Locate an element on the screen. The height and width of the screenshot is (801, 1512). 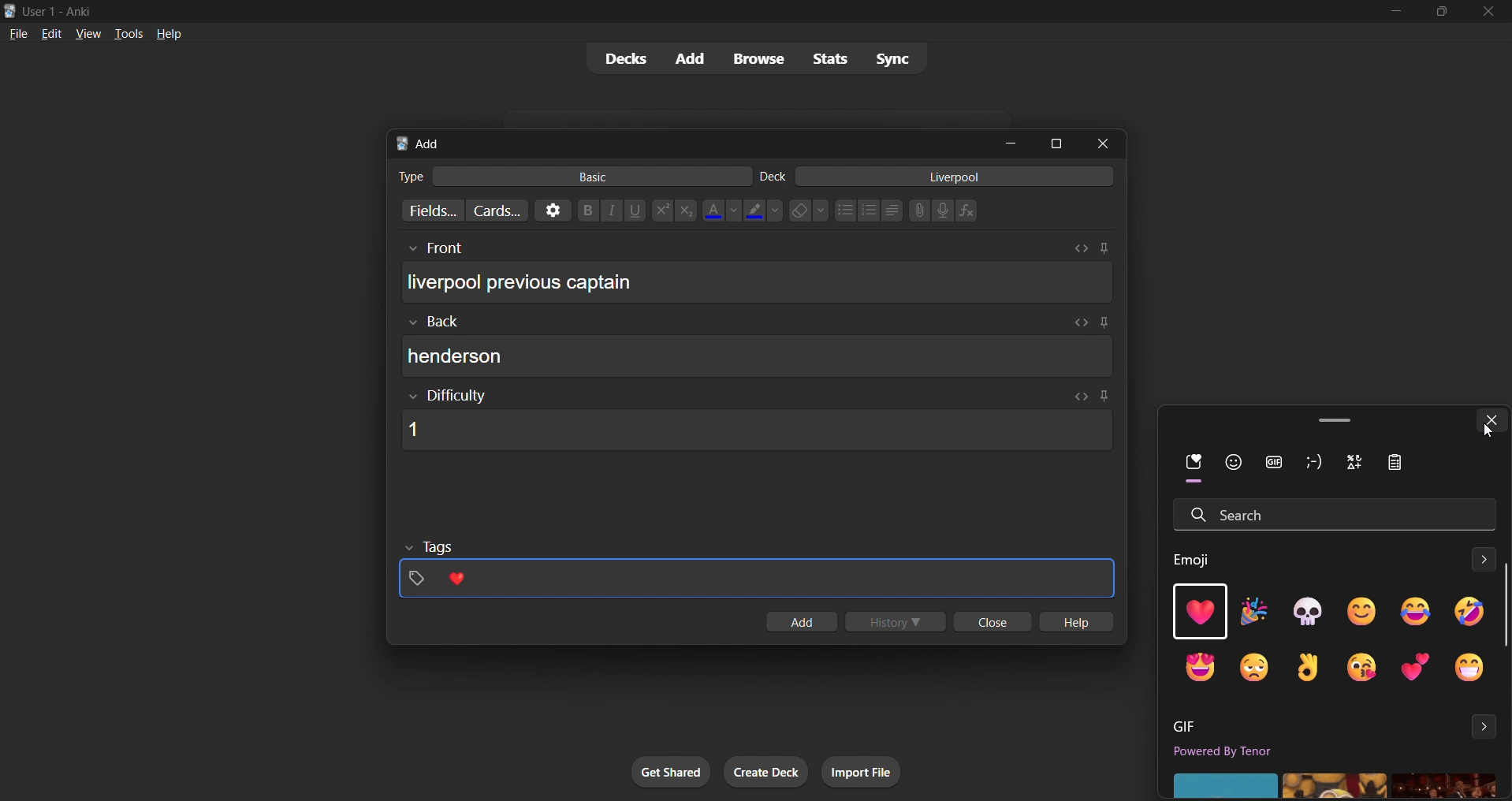
card front input box is located at coordinates (757, 277).